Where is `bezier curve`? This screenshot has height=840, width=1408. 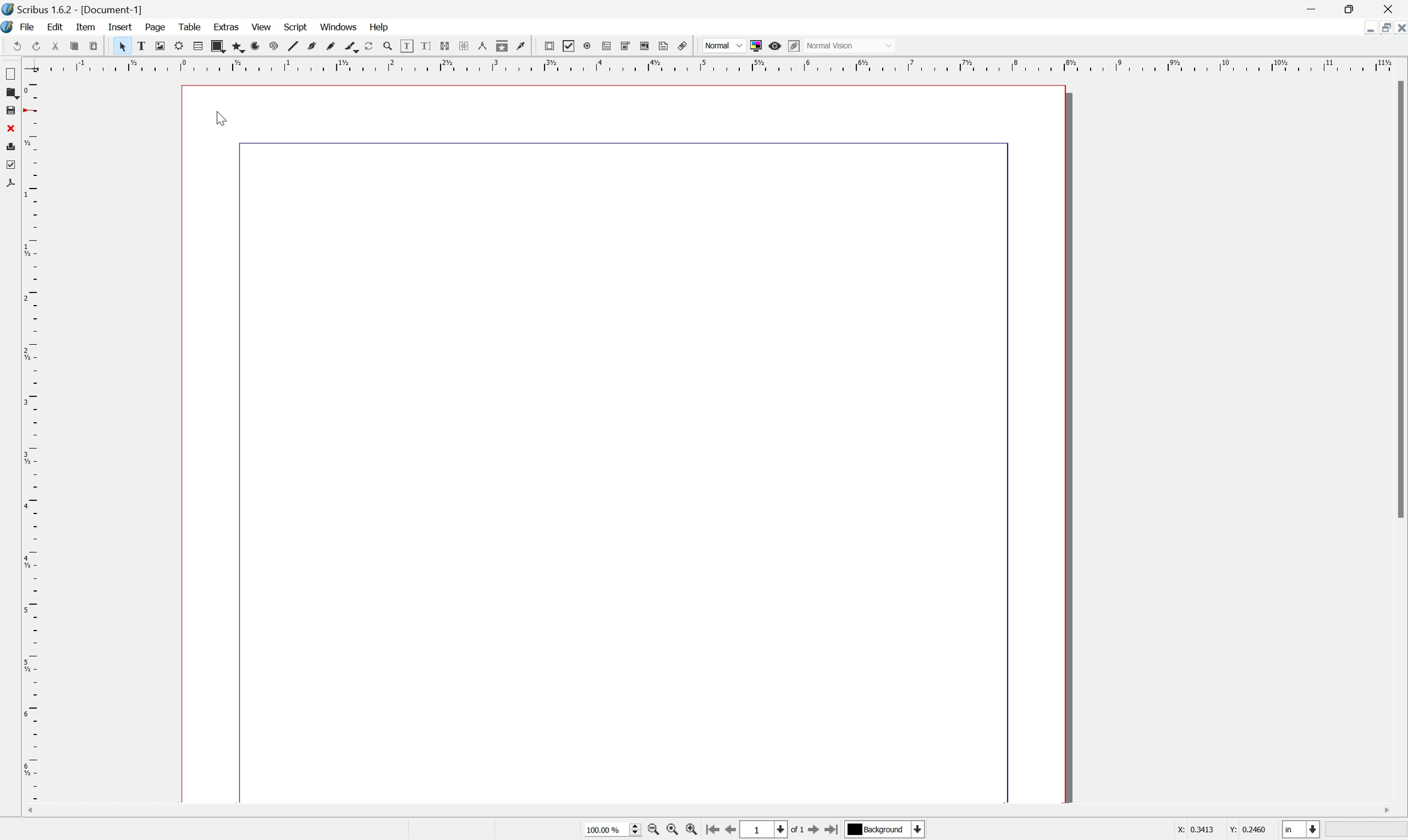 bezier curve is located at coordinates (443, 45).